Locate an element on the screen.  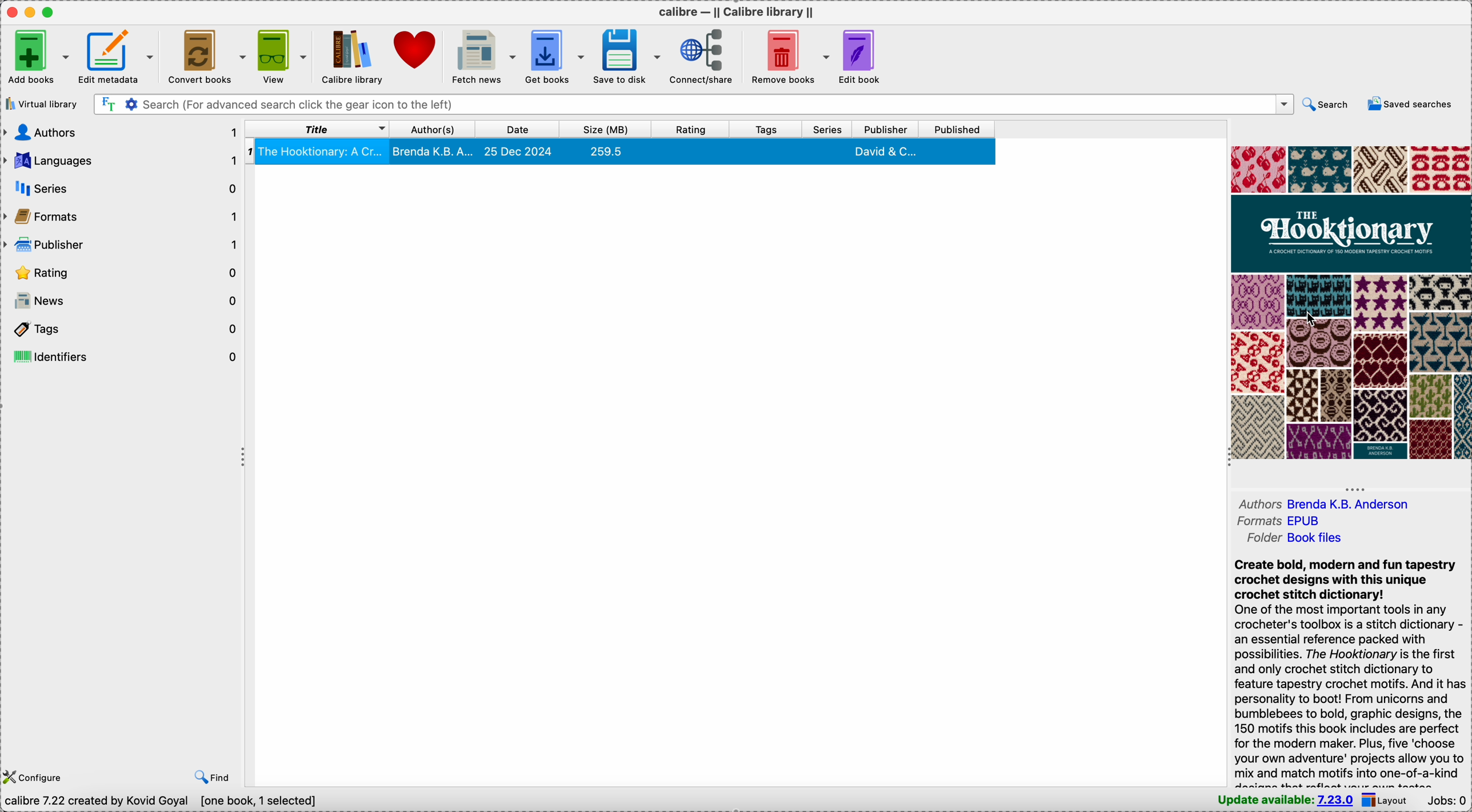
fetch news is located at coordinates (481, 56).